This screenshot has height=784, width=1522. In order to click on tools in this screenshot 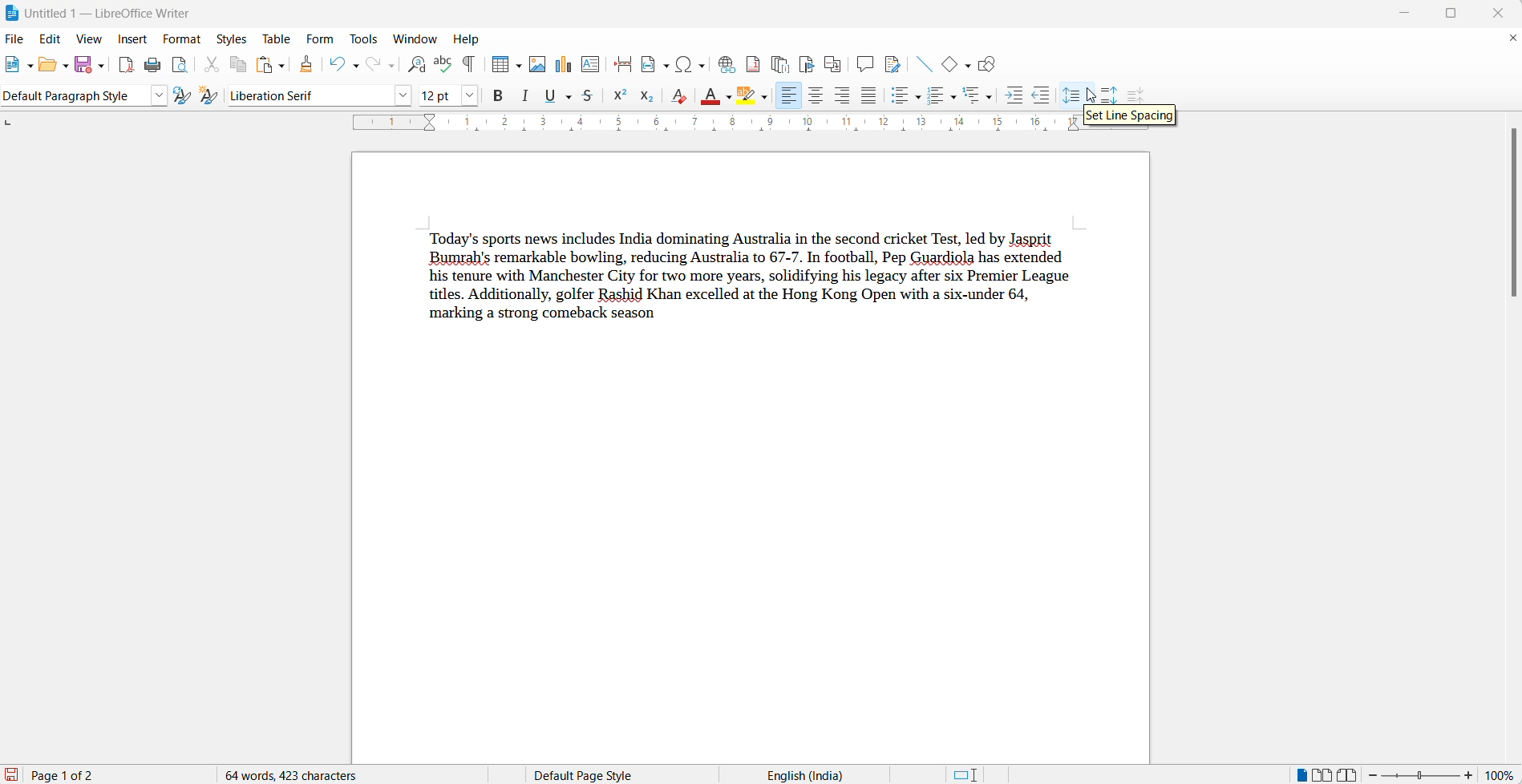, I will do `click(366, 38)`.